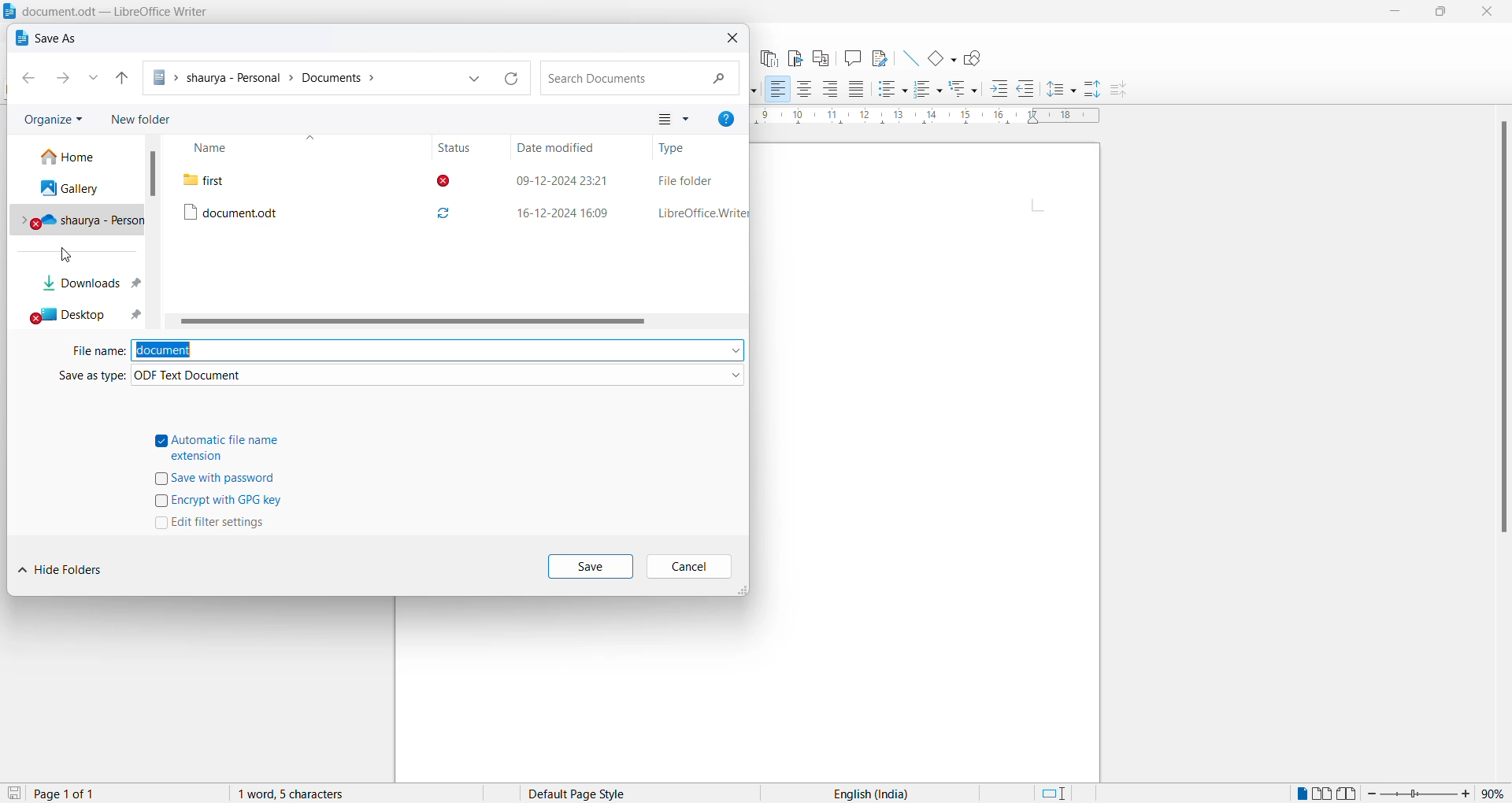 The height and width of the screenshot is (803, 1512). What do you see at coordinates (80, 221) in the screenshot?
I see `Personal drive` at bounding box center [80, 221].